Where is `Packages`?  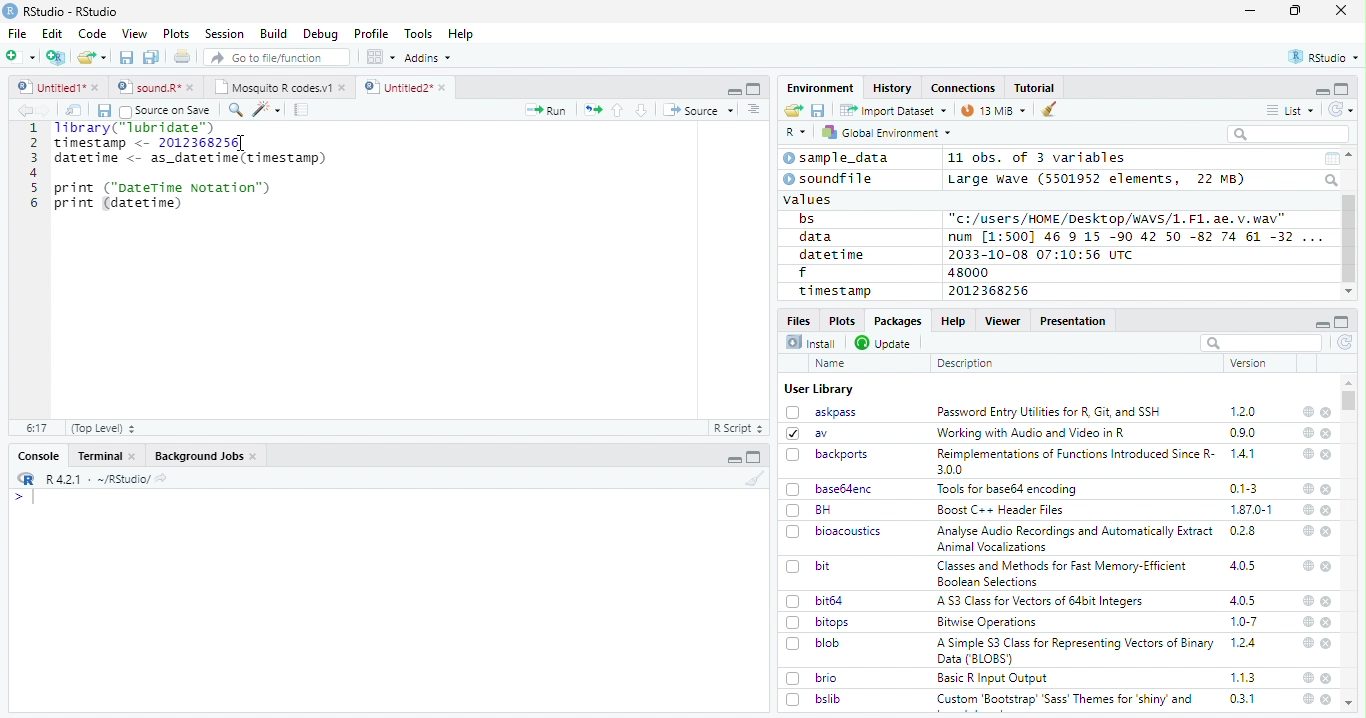
Packages is located at coordinates (896, 321).